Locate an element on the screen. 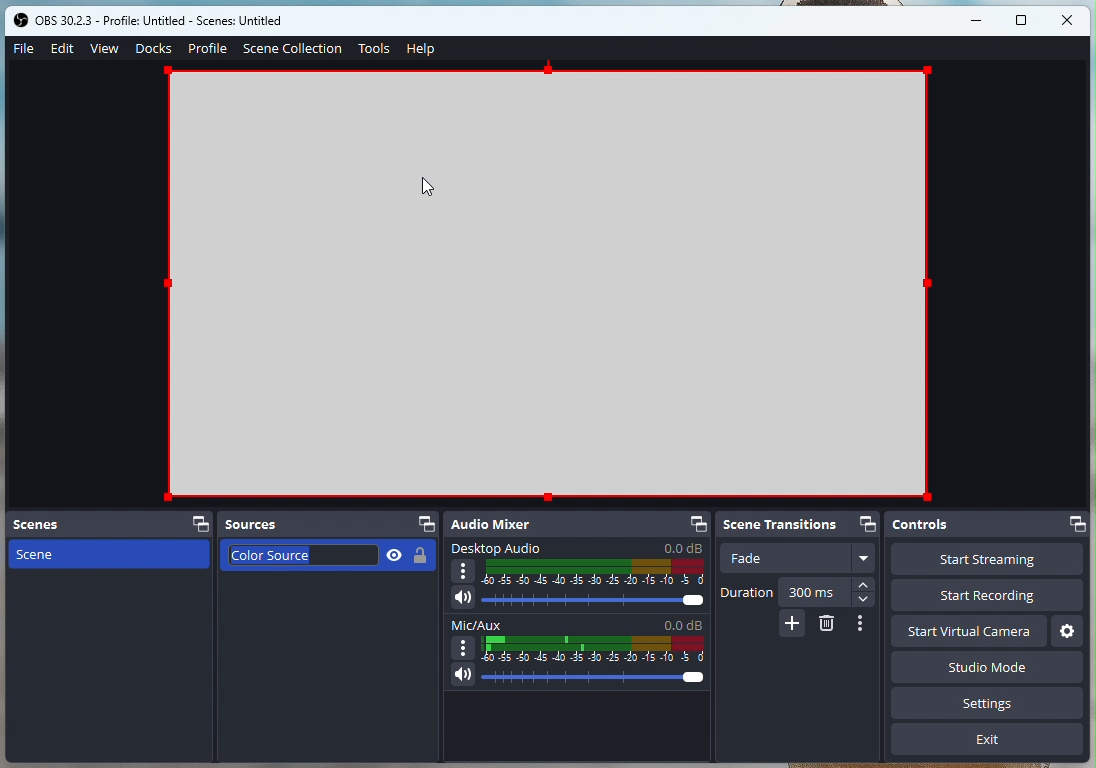 This screenshot has height=768, width=1096. cursor is located at coordinates (429, 190).